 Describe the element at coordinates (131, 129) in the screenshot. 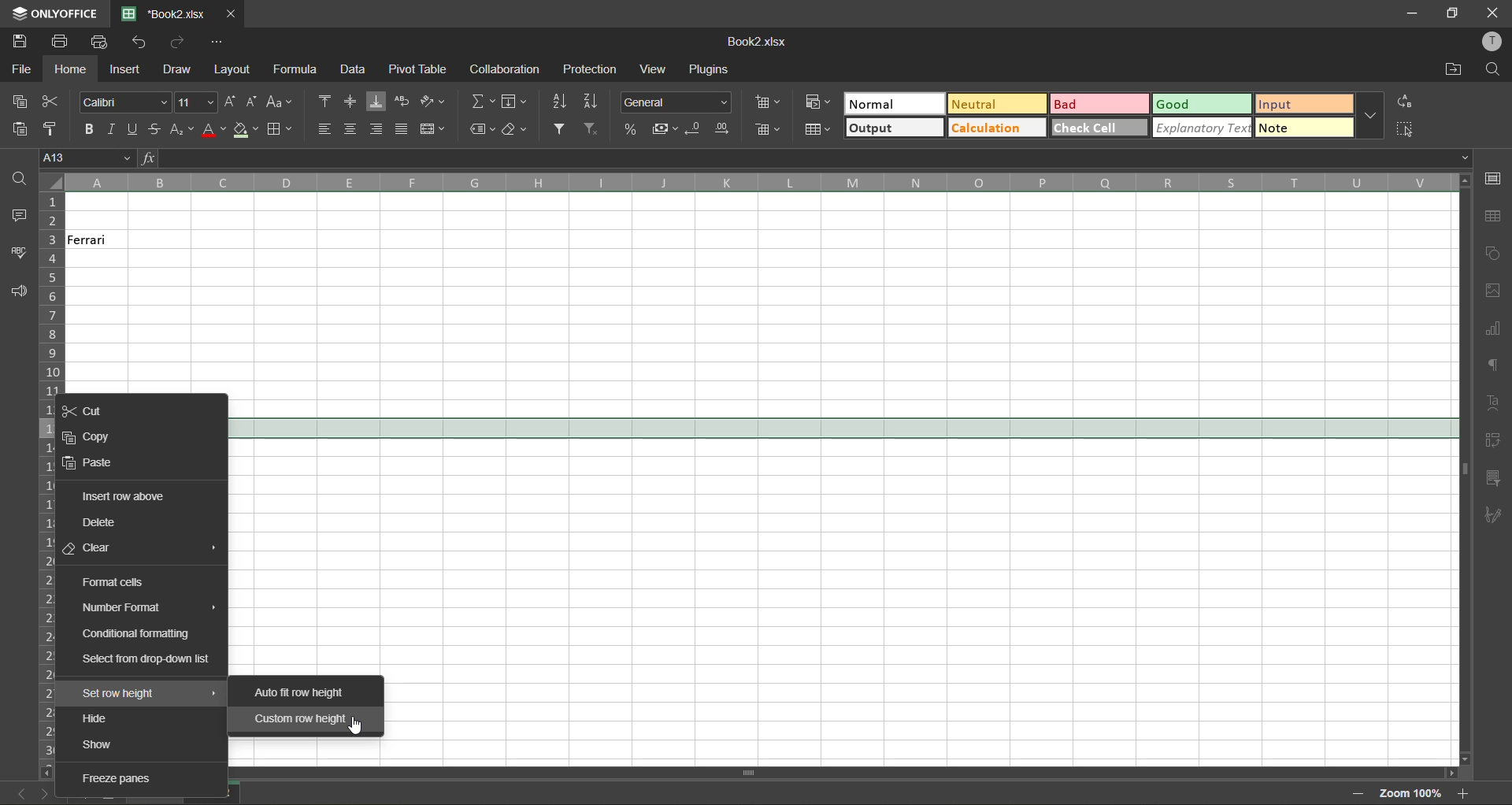

I see `underline` at that location.